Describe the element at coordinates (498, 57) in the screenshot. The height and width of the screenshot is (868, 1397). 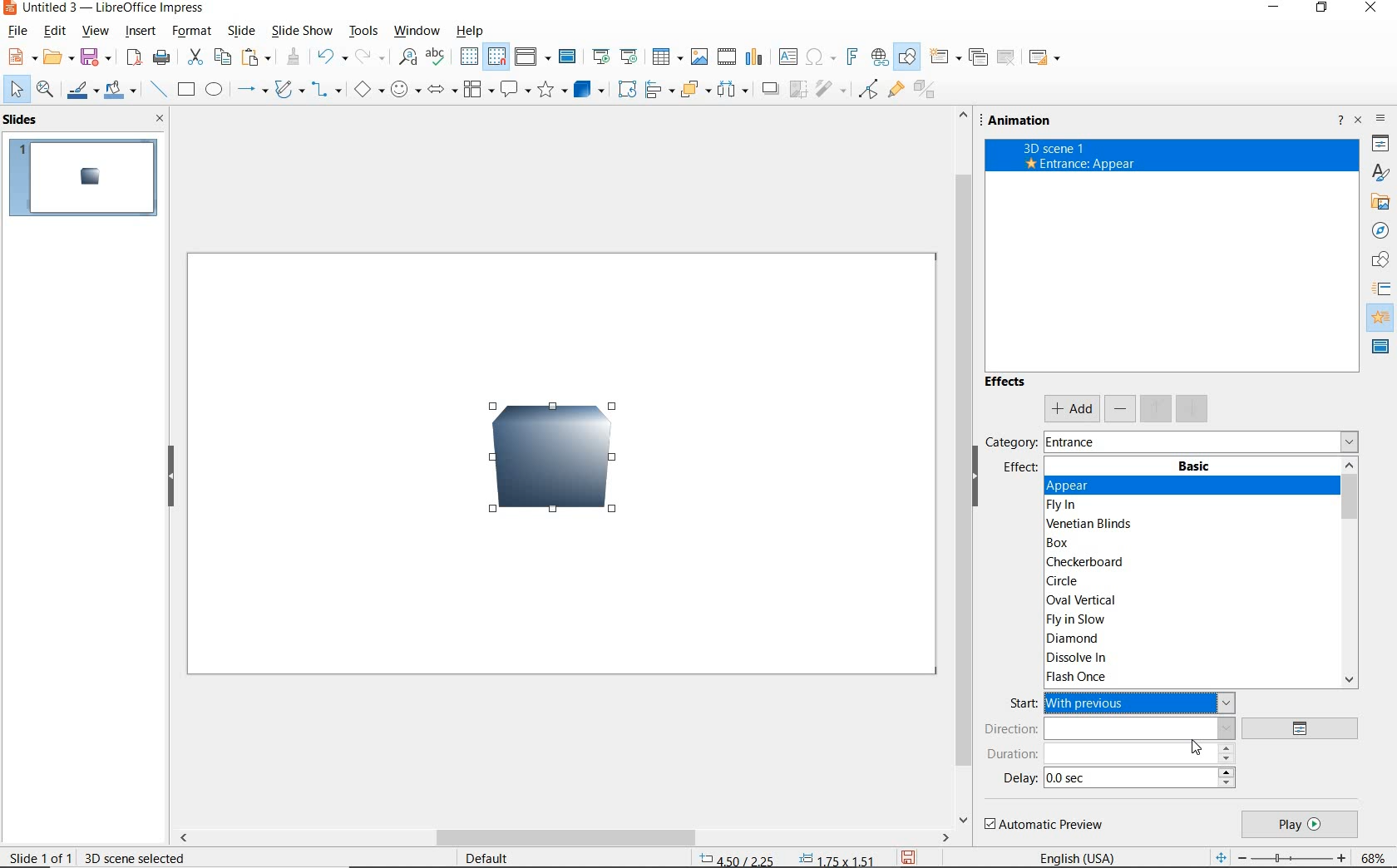
I see `snap to grid` at that location.